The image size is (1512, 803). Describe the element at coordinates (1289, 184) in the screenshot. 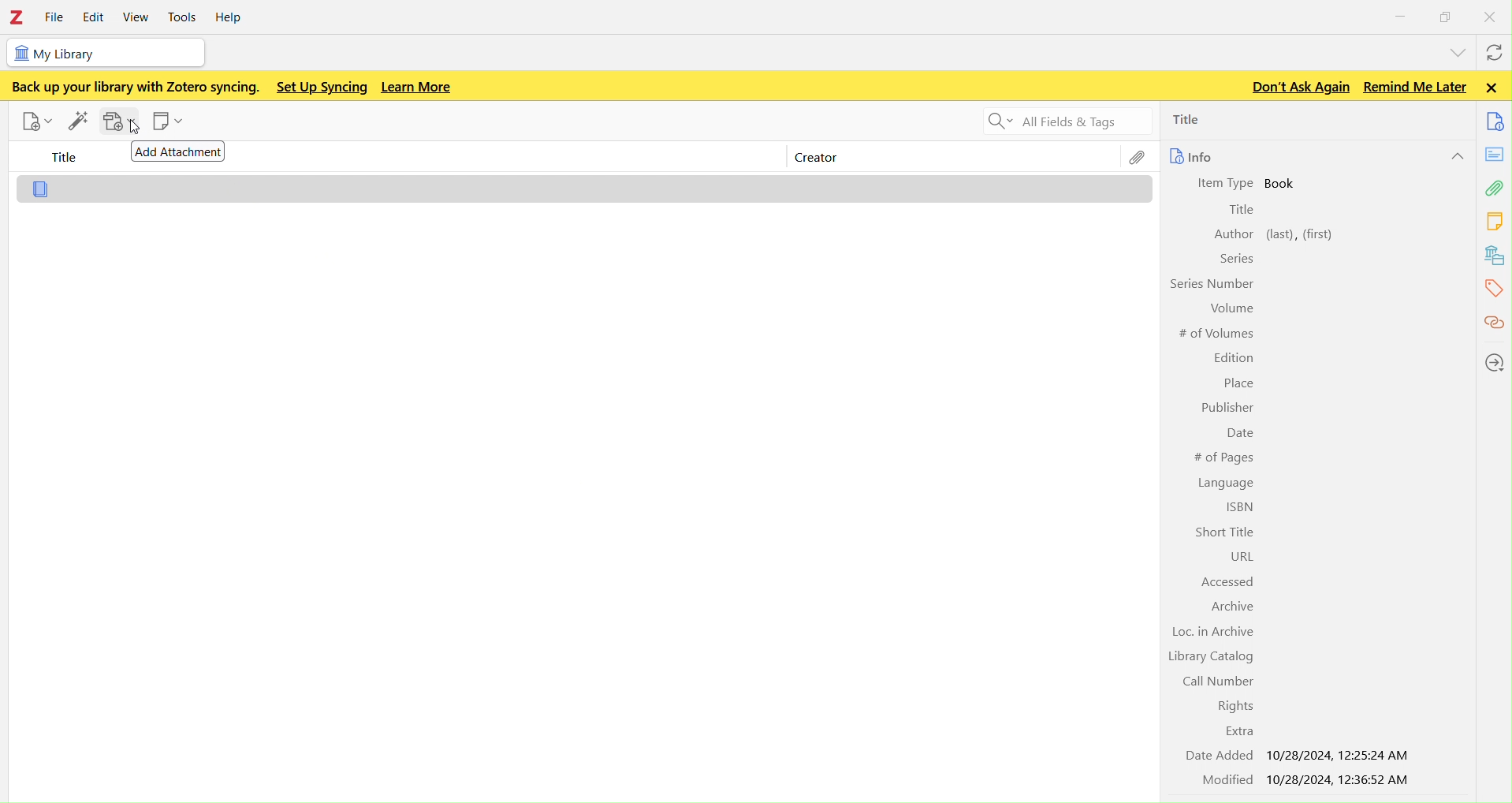

I see `book` at that location.